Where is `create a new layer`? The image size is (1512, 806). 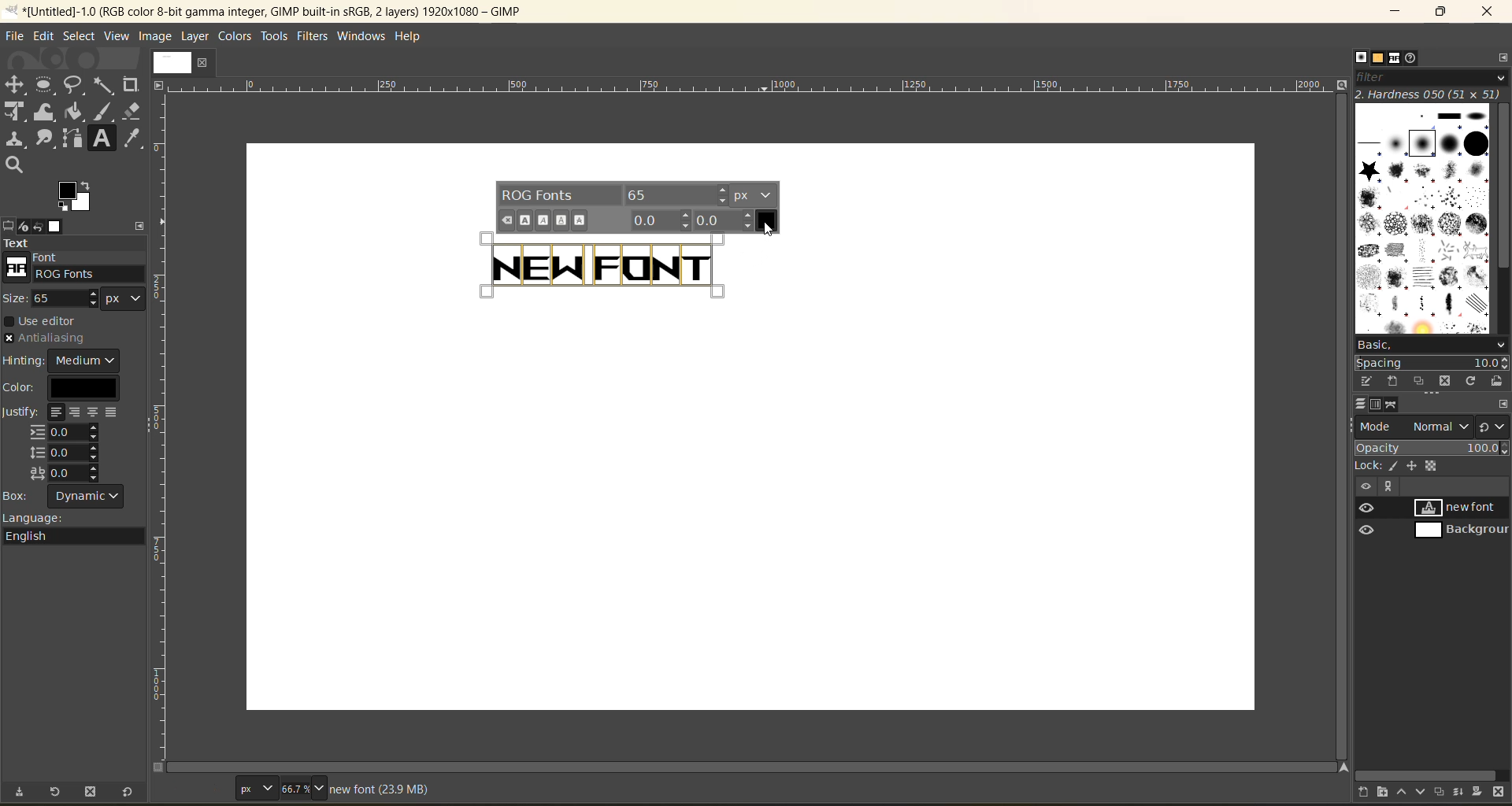 create a new layer is located at coordinates (1366, 791).